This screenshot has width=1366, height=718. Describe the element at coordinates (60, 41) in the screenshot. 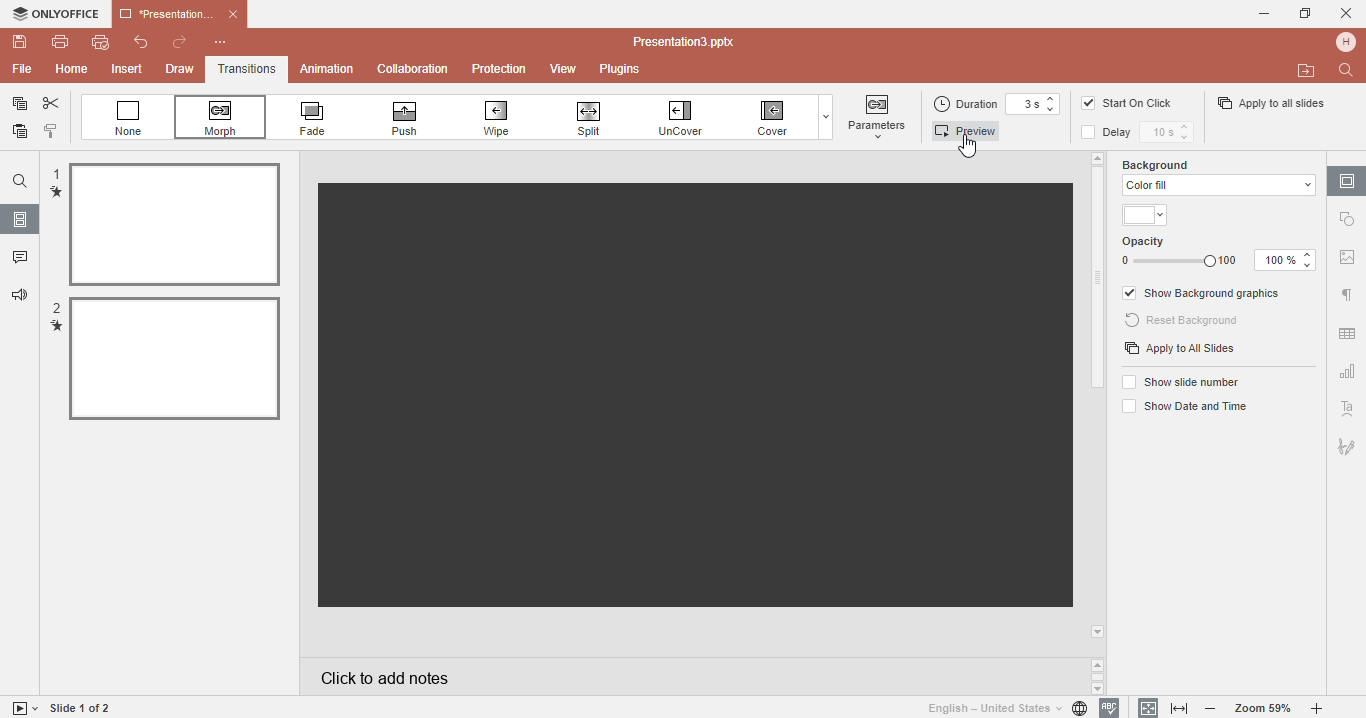

I see `Print file` at that location.